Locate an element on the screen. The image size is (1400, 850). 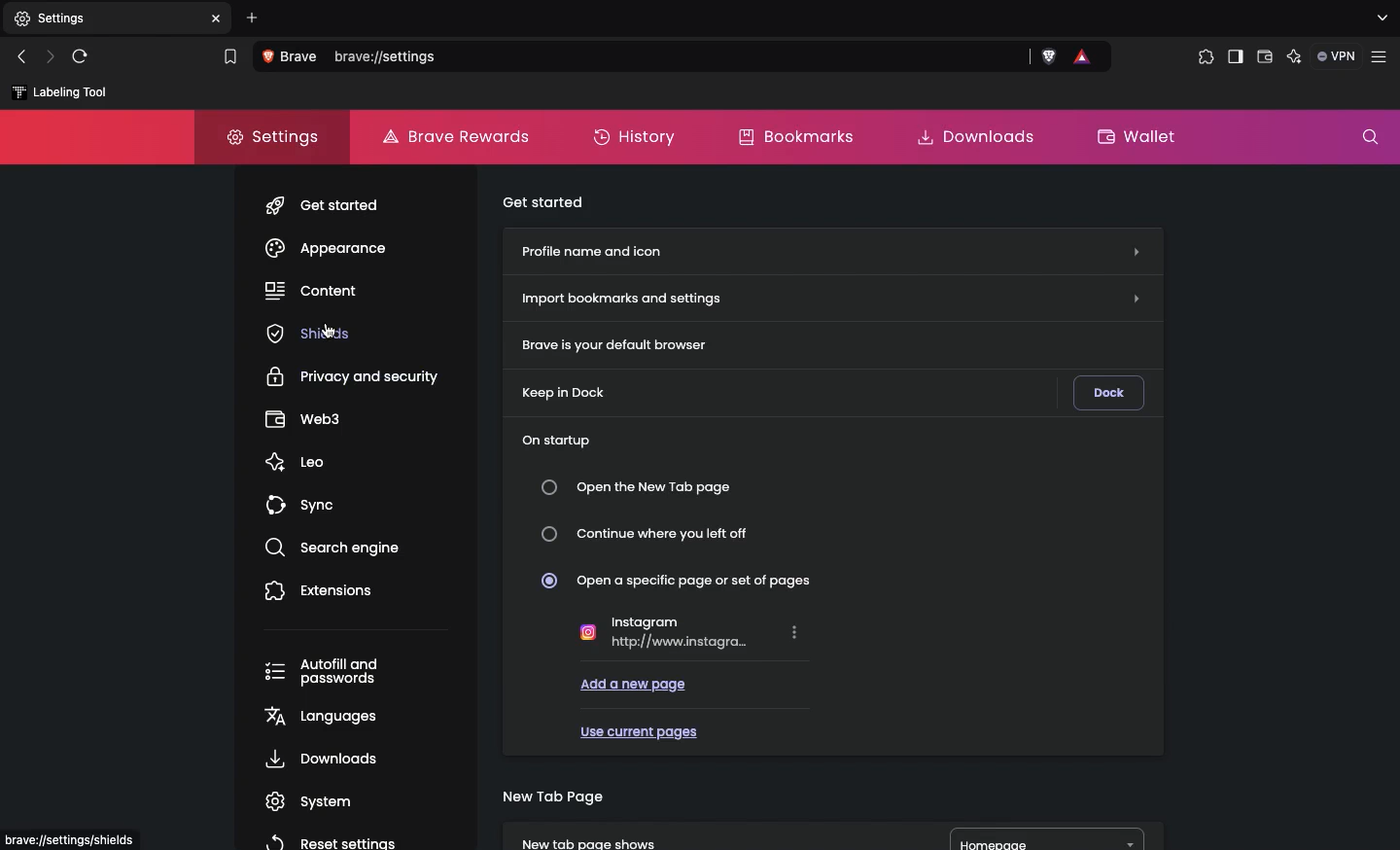
Sync is located at coordinates (305, 502).